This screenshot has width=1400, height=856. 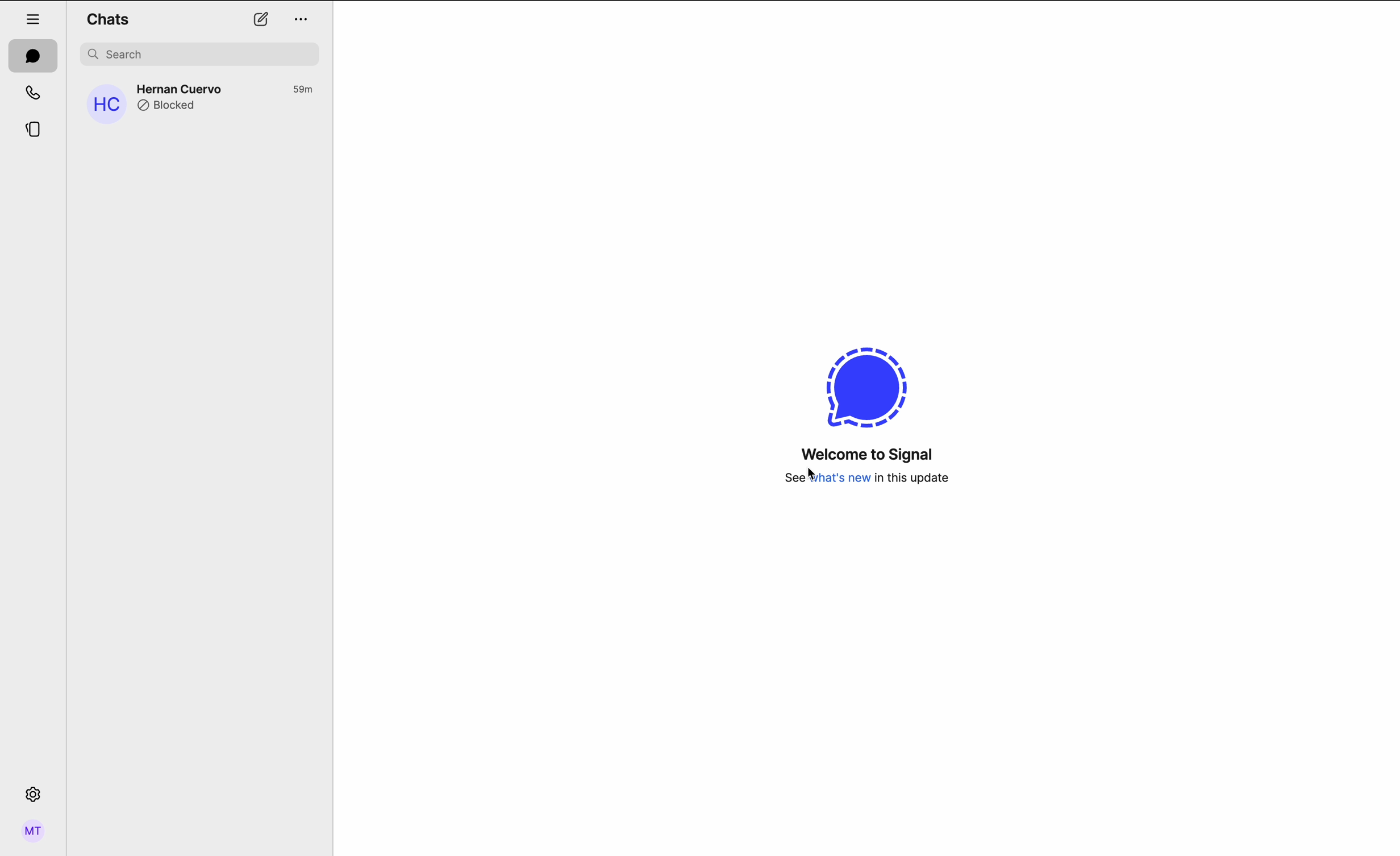 What do you see at coordinates (34, 19) in the screenshot?
I see `hide tab` at bounding box center [34, 19].